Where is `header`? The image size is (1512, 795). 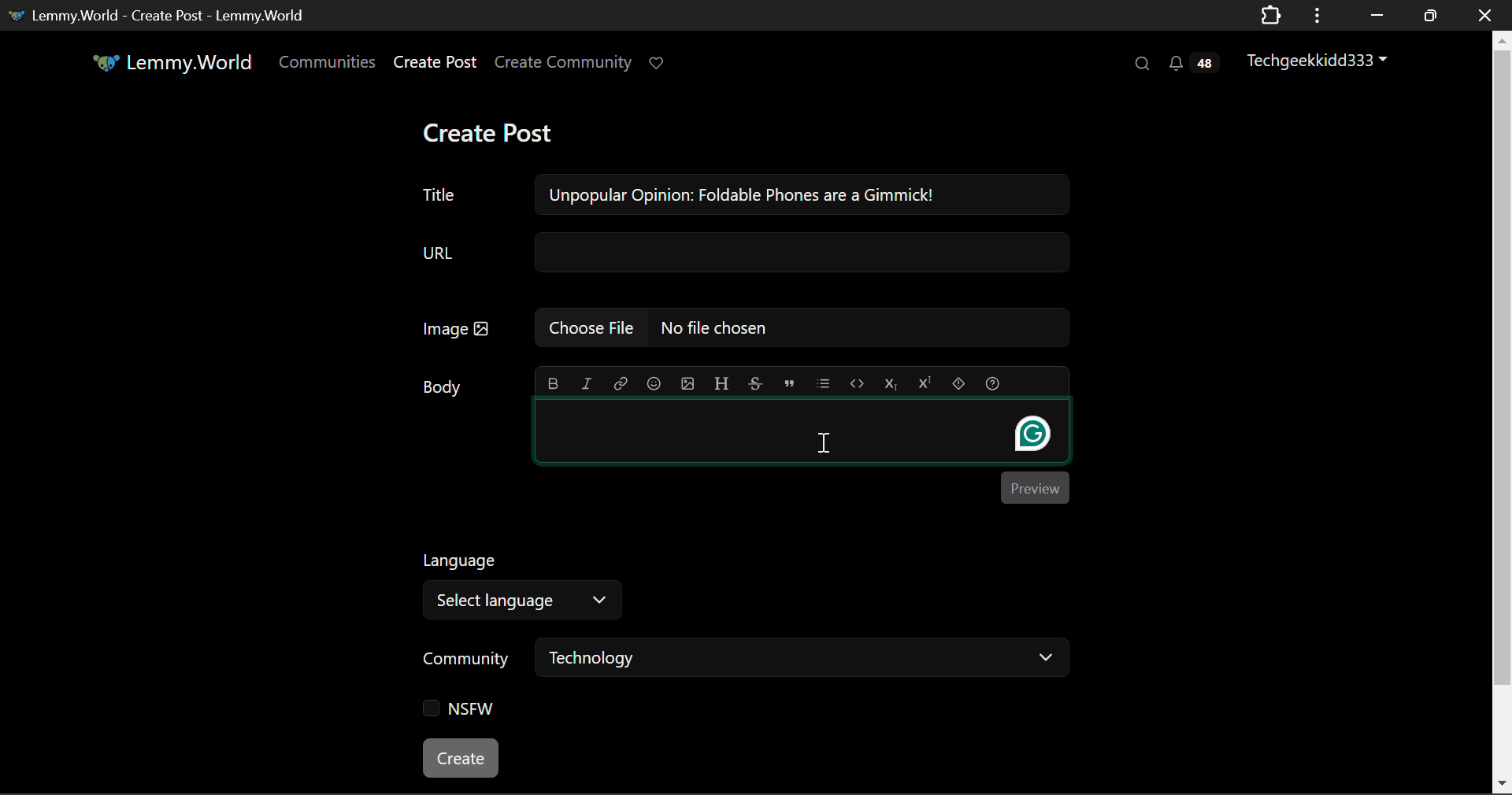 header is located at coordinates (721, 381).